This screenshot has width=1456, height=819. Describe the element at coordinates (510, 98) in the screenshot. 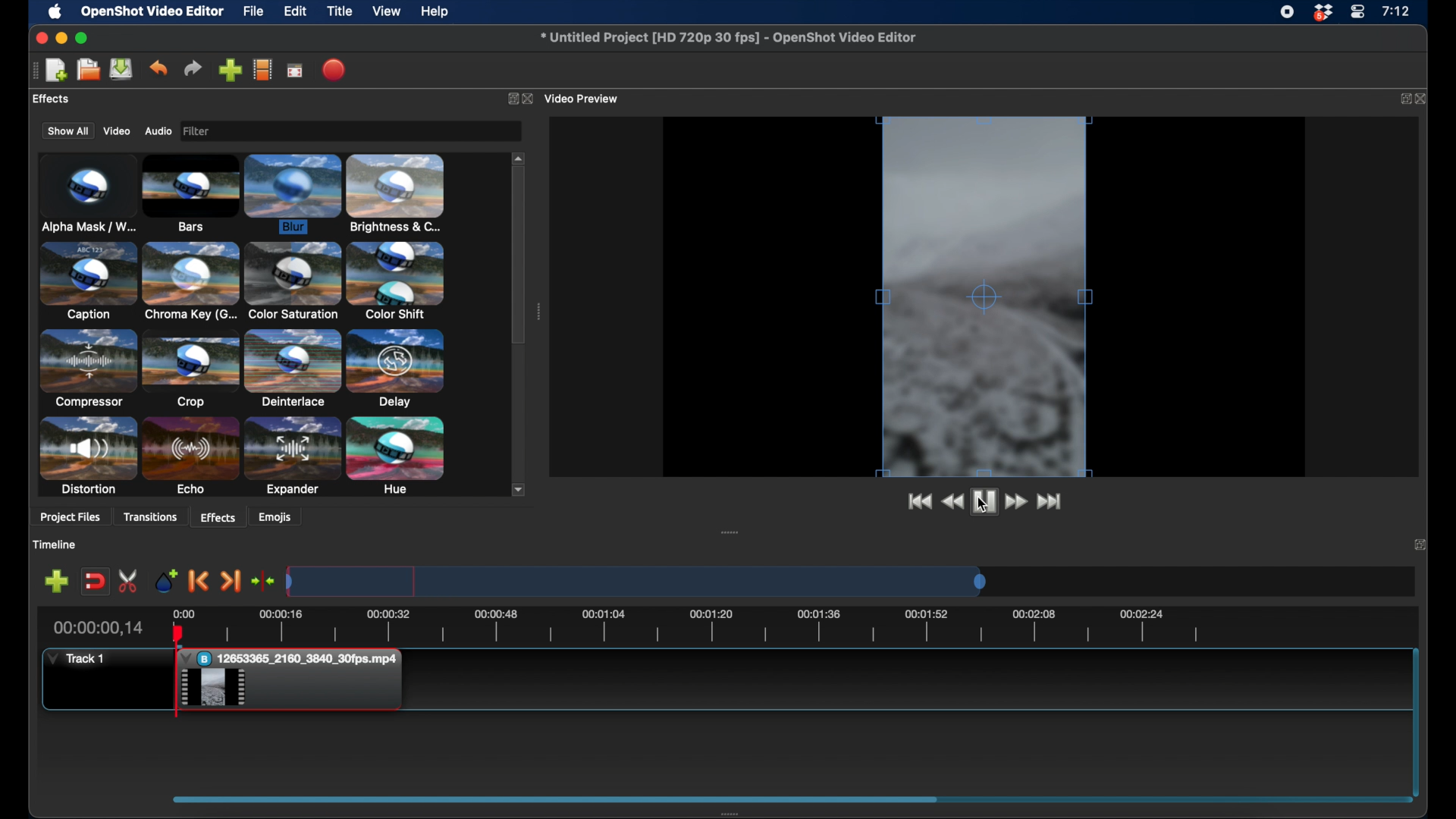

I see `expand` at that location.